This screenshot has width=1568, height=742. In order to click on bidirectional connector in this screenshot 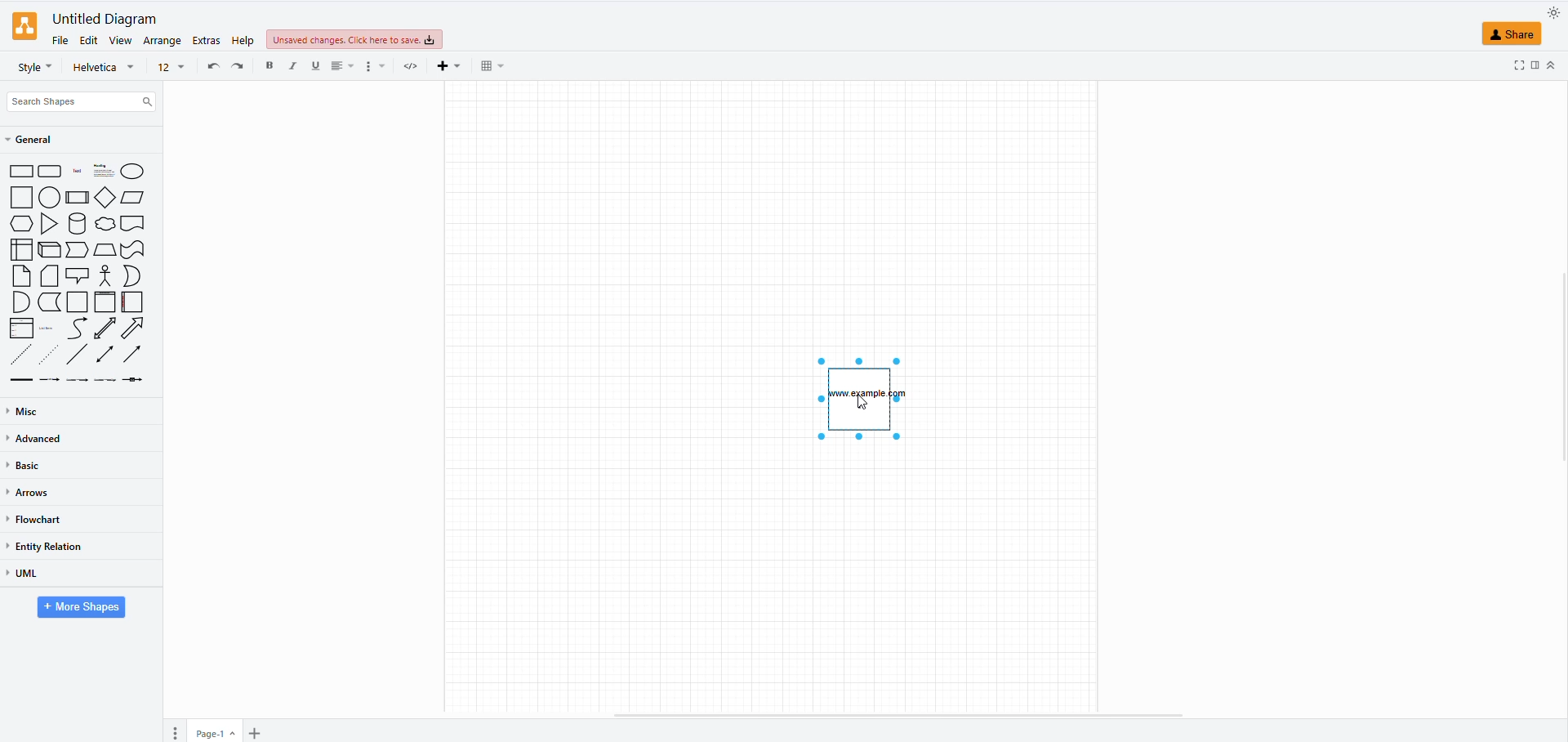, I will do `click(105, 355)`.